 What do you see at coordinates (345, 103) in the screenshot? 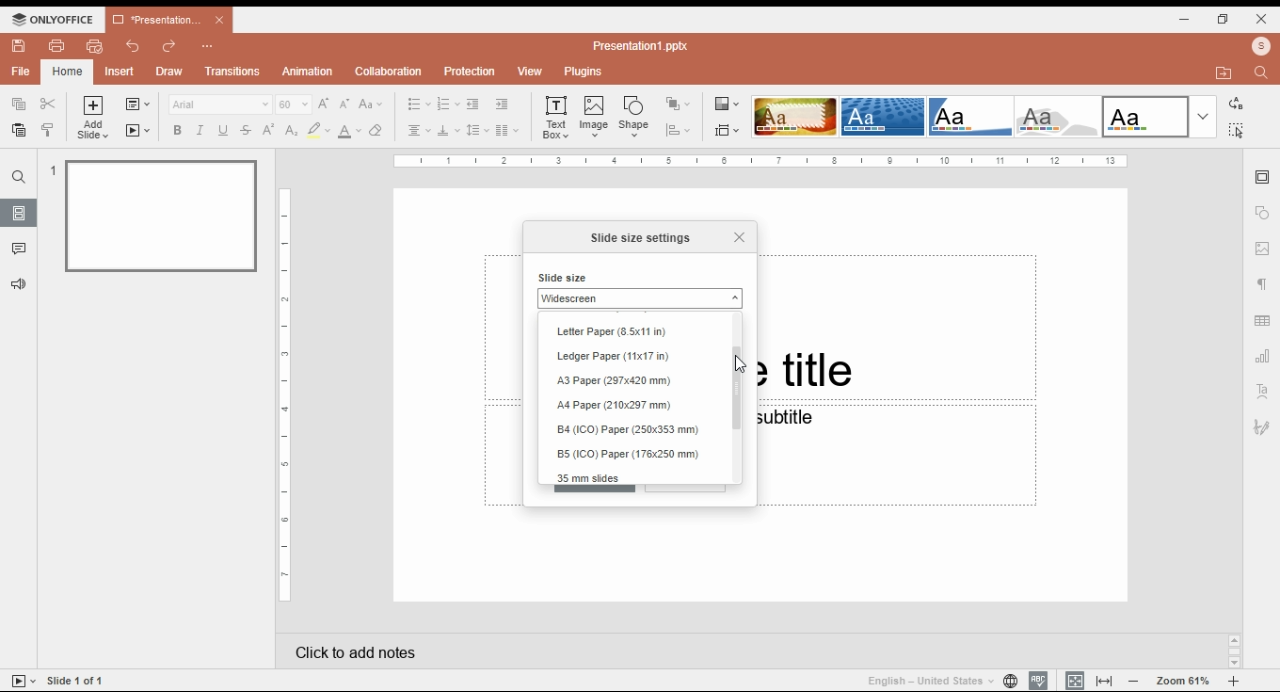
I see `decrement font size` at bounding box center [345, 103].